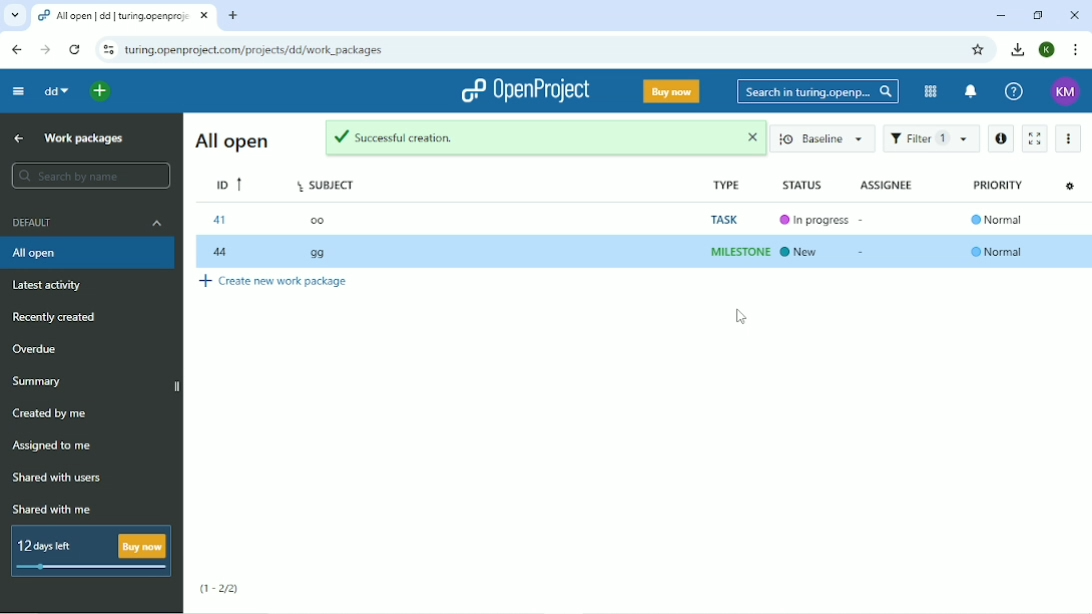 The image size is (1092, 614). Describe the element at coordinates (1064, 91) in the screenshot. I see `KM` at that location.